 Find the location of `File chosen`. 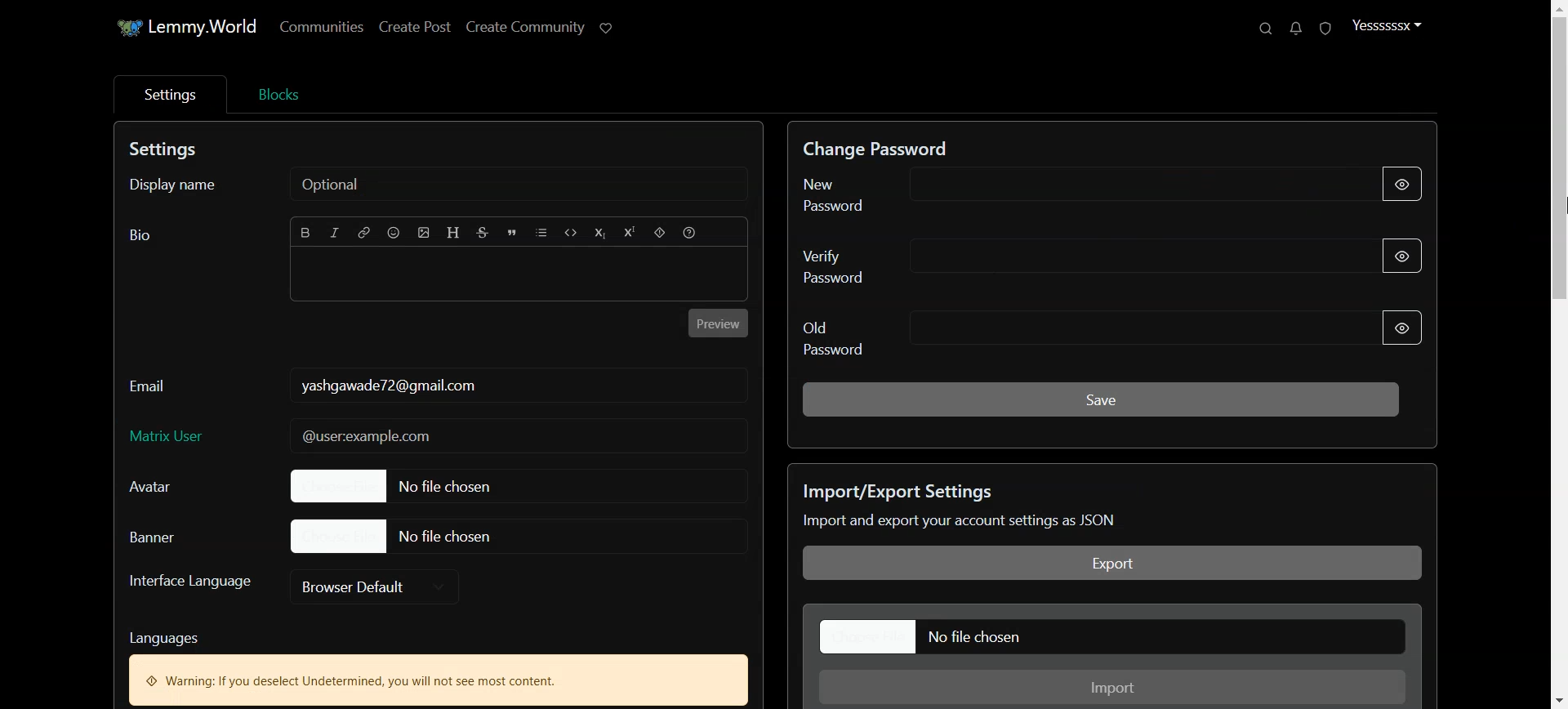

File chosen is located at coordinates (1111, 636).